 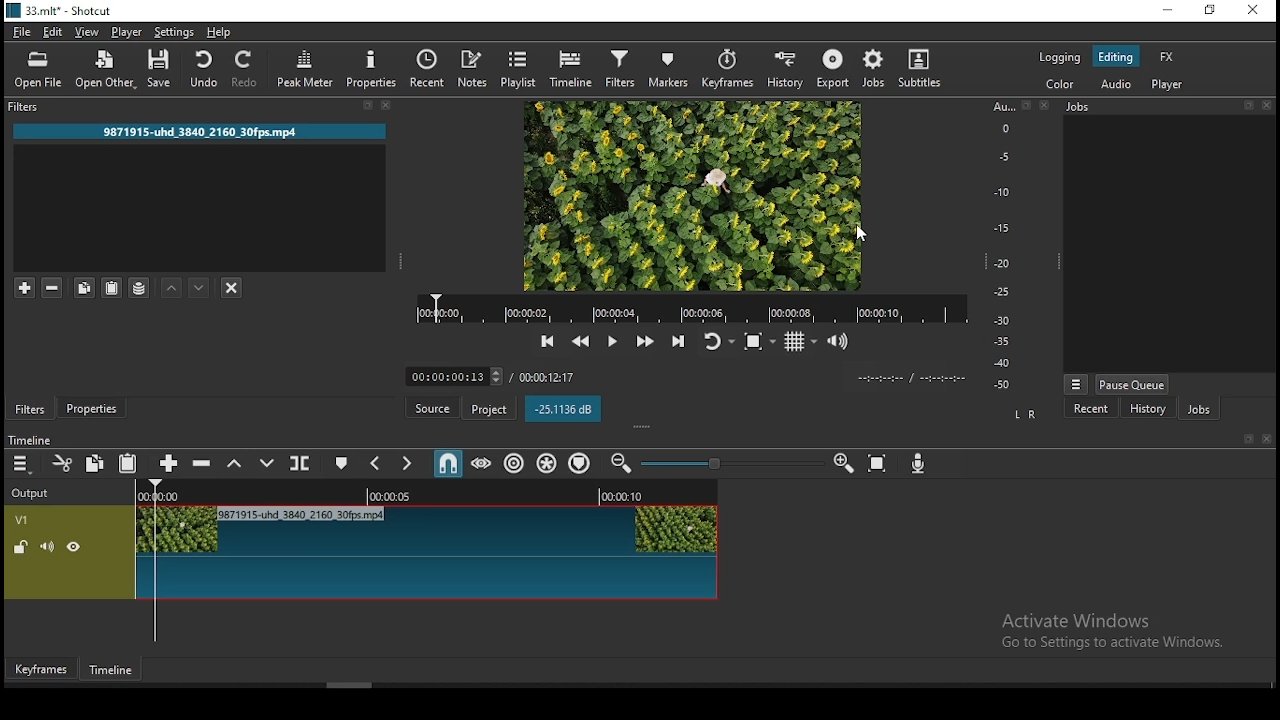 I want to click on source, so click(x=437, y=409).